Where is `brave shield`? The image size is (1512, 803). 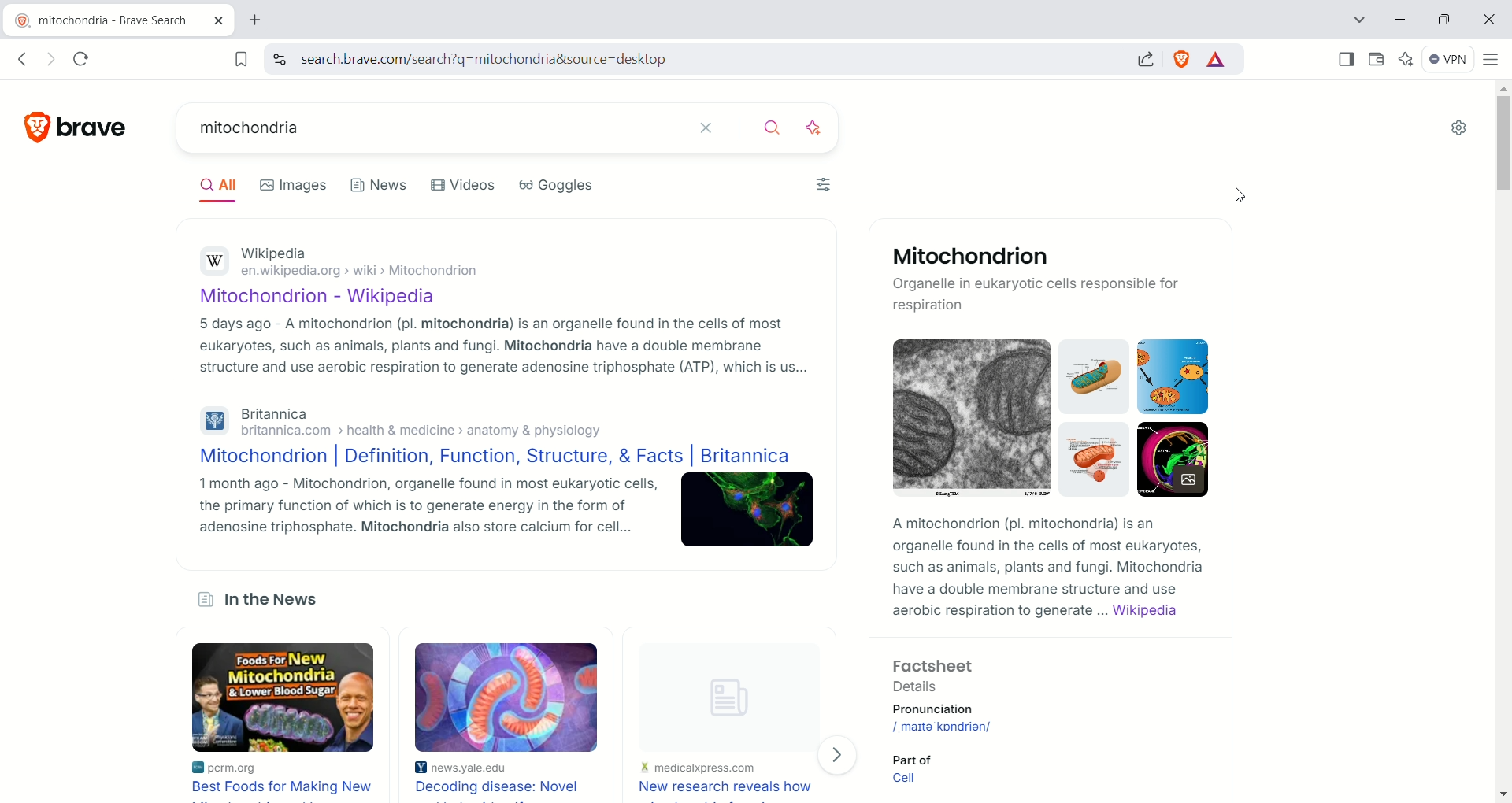
brave shield is located at coordinates (1180, 60).